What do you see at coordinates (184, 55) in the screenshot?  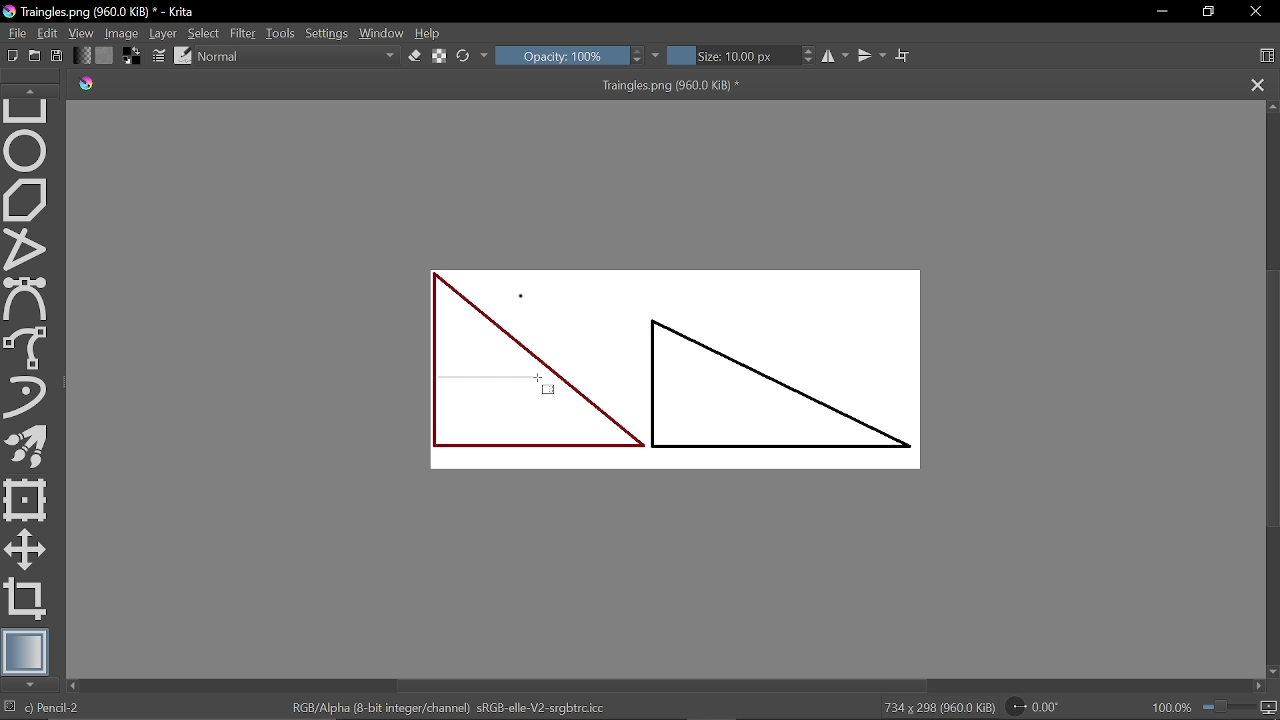 I see `edit brush preset` at bounding box center [184, 55].